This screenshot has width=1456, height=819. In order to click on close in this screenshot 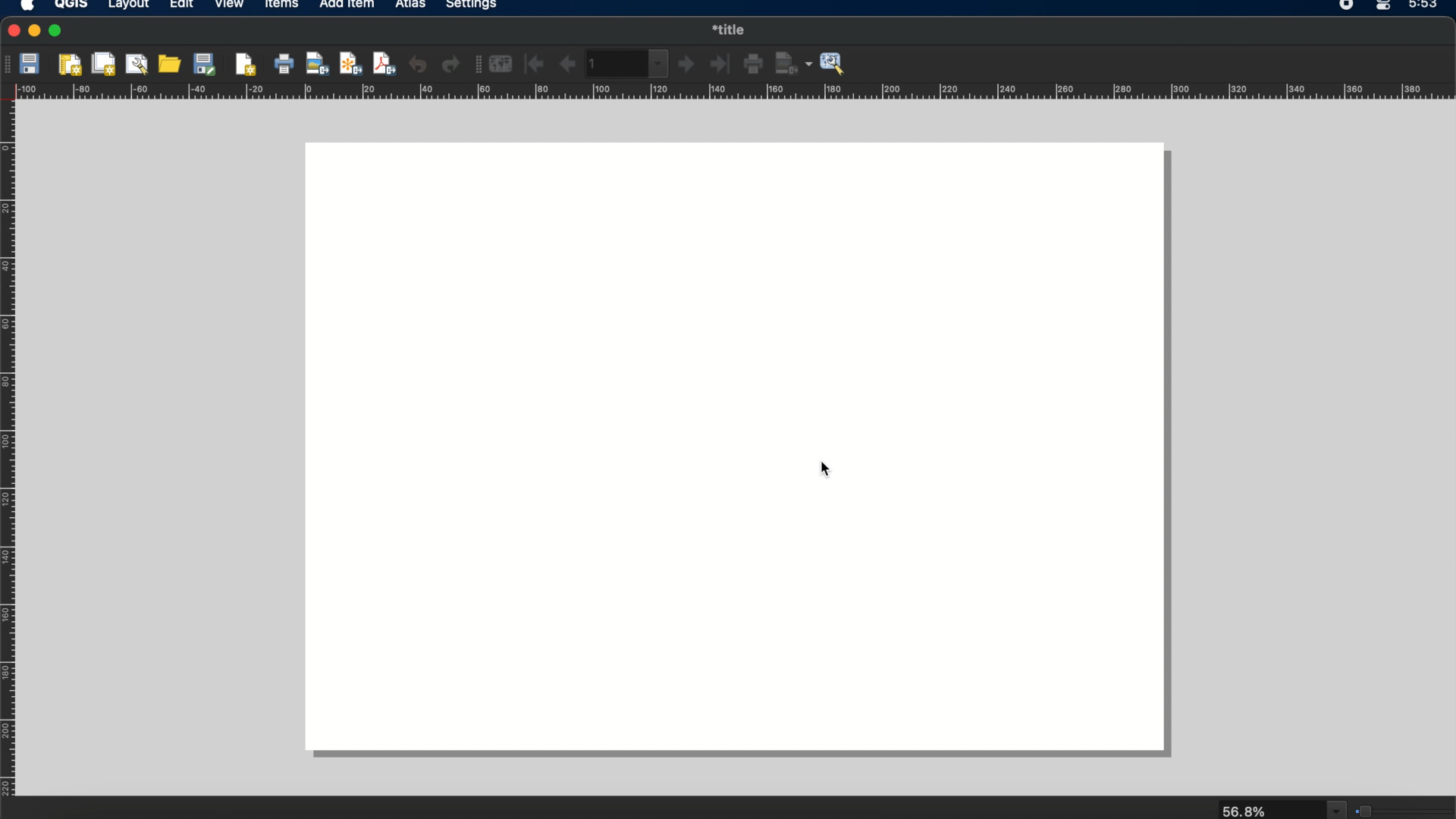, I will do `click(12, 28)`.